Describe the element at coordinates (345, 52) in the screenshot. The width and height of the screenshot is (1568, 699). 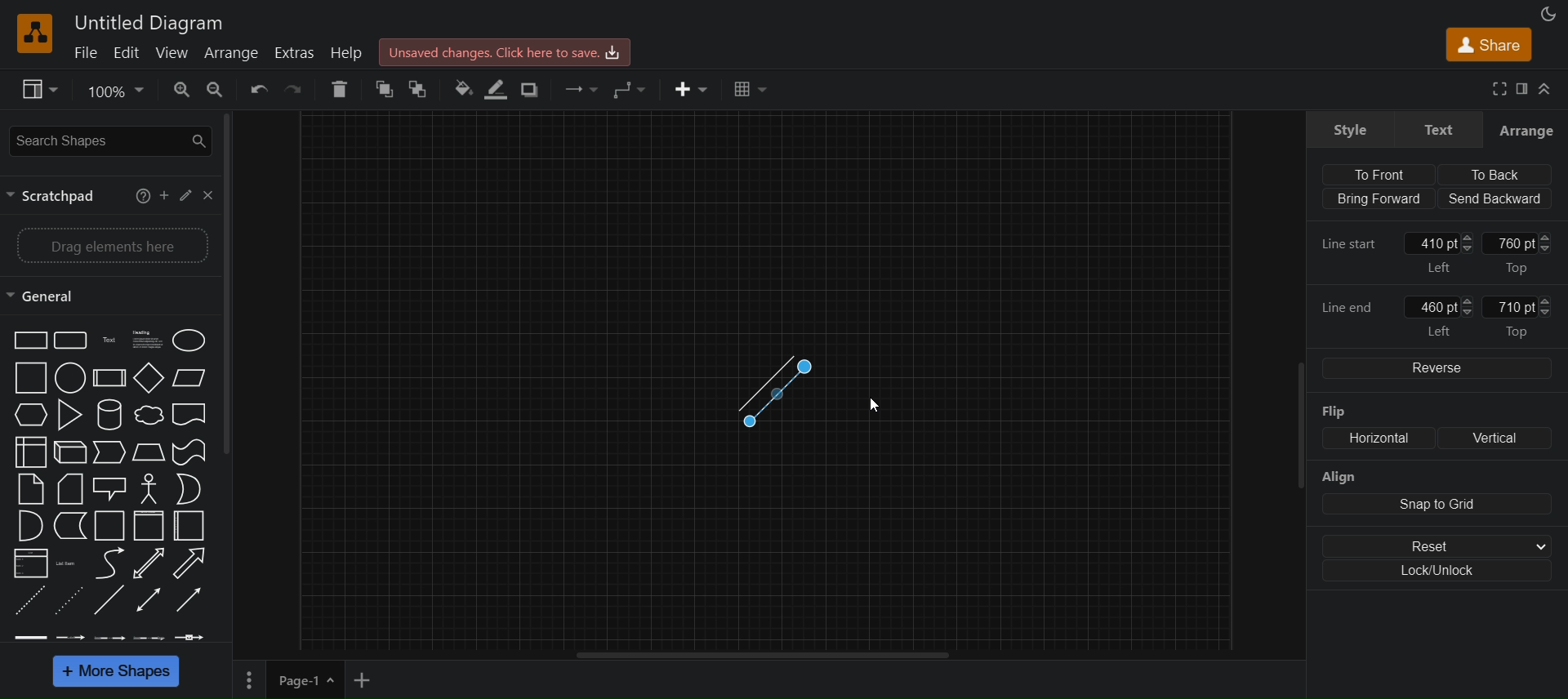
I see `help` at that location.